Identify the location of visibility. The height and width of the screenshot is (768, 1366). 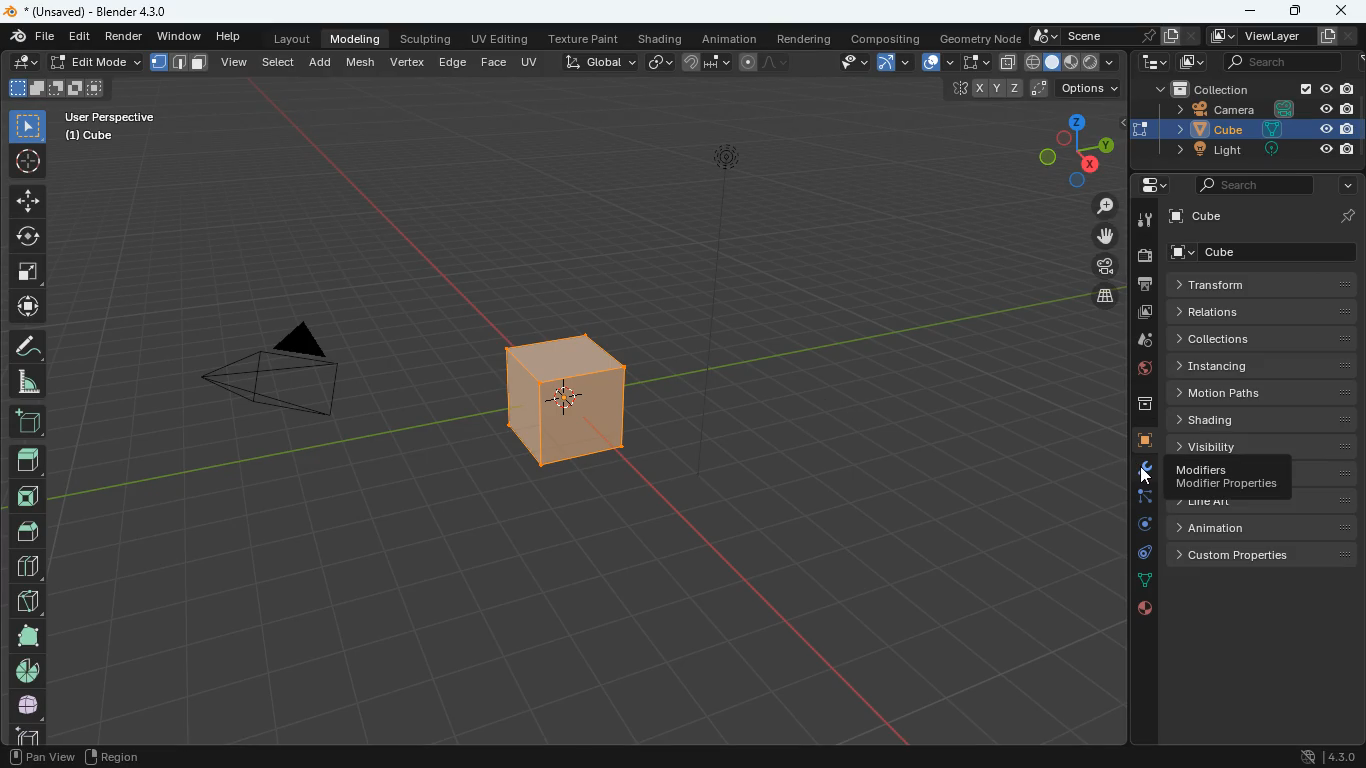
(1264, 447).